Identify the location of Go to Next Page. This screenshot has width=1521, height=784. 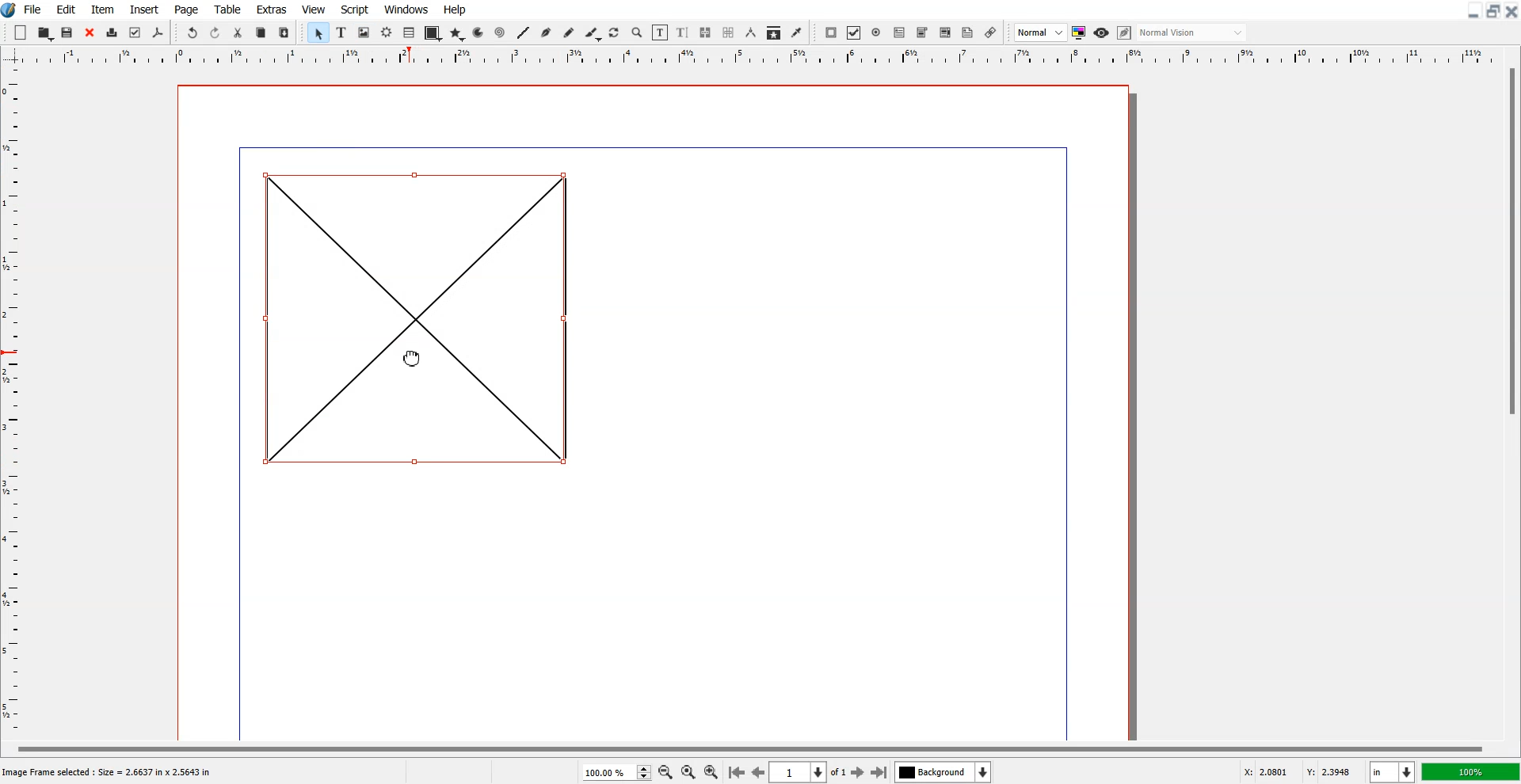
(860, 773).